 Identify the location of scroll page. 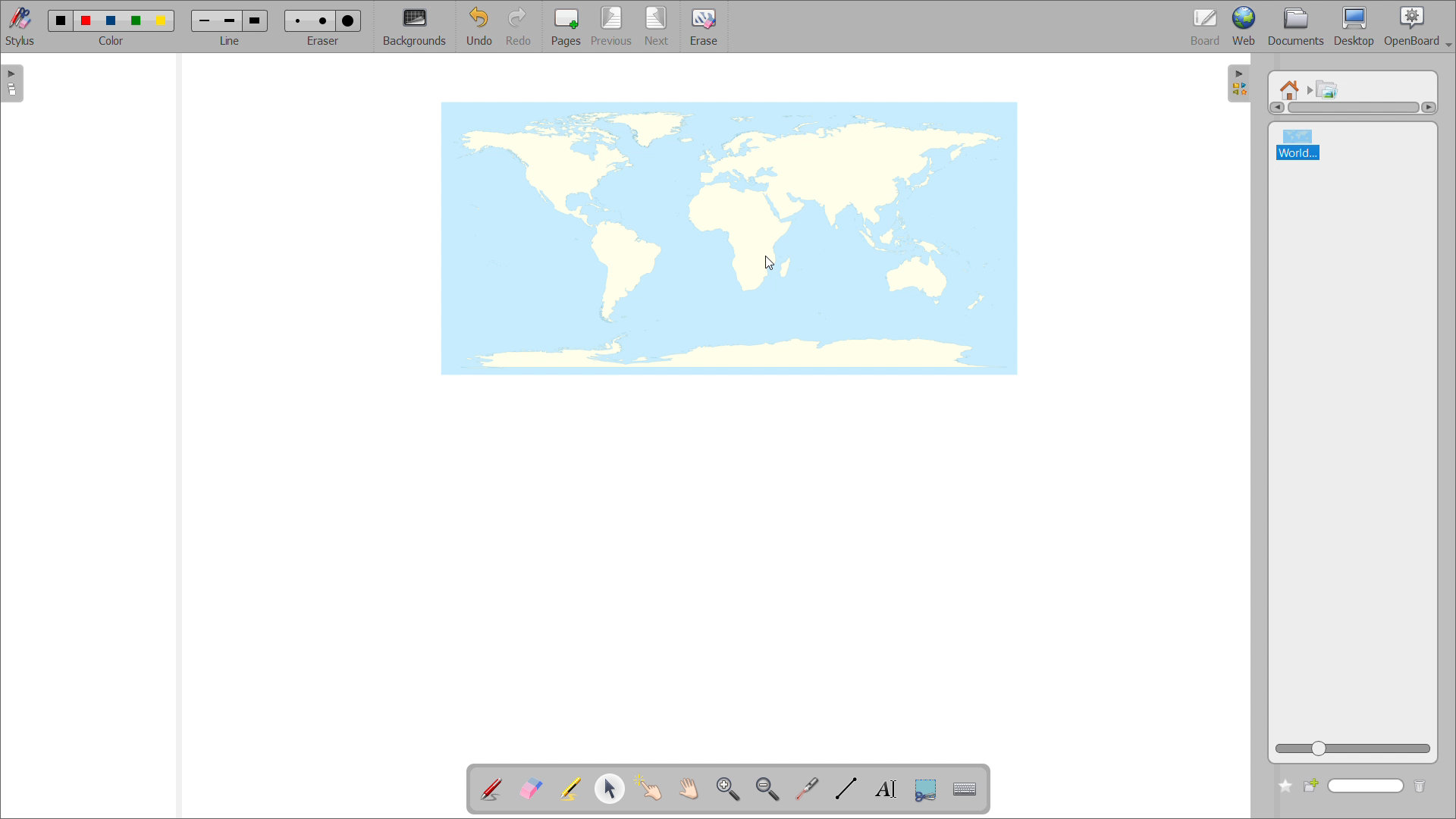
(688, 789).